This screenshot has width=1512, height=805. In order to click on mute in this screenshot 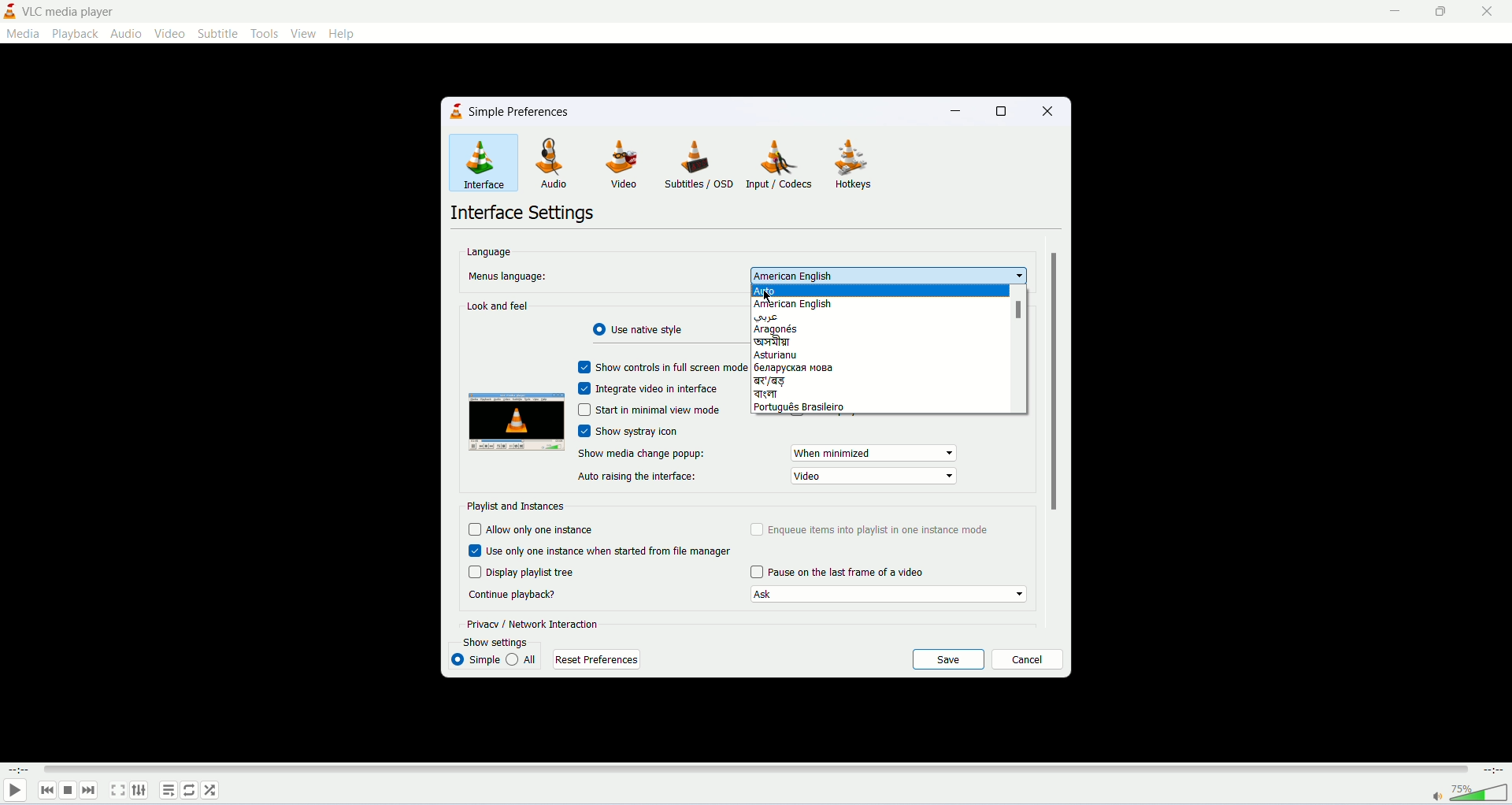, I will do `click(1439, 797)`.